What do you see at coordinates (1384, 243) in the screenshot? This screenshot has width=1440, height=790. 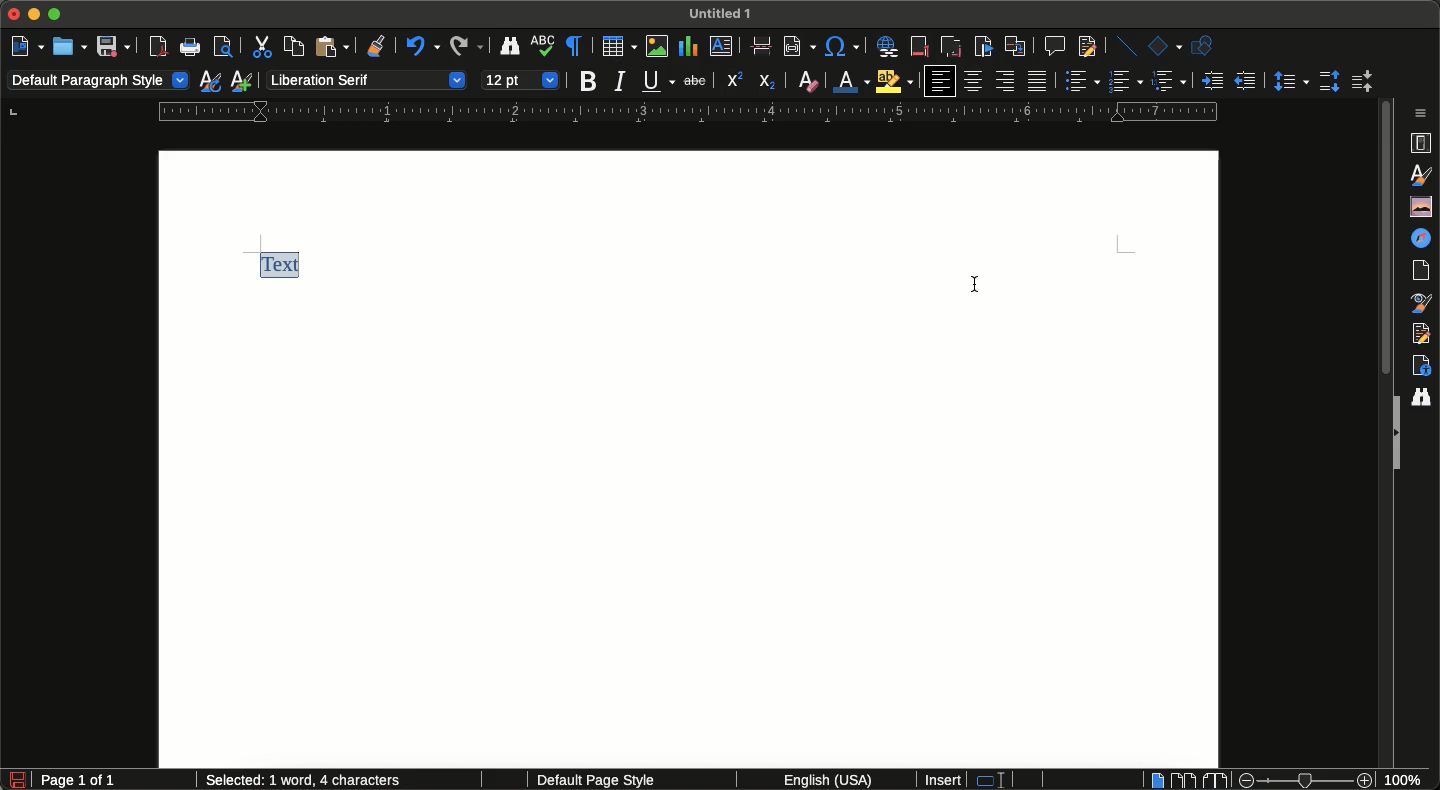 I see `Scroll` at bounding box center [1384, 243].